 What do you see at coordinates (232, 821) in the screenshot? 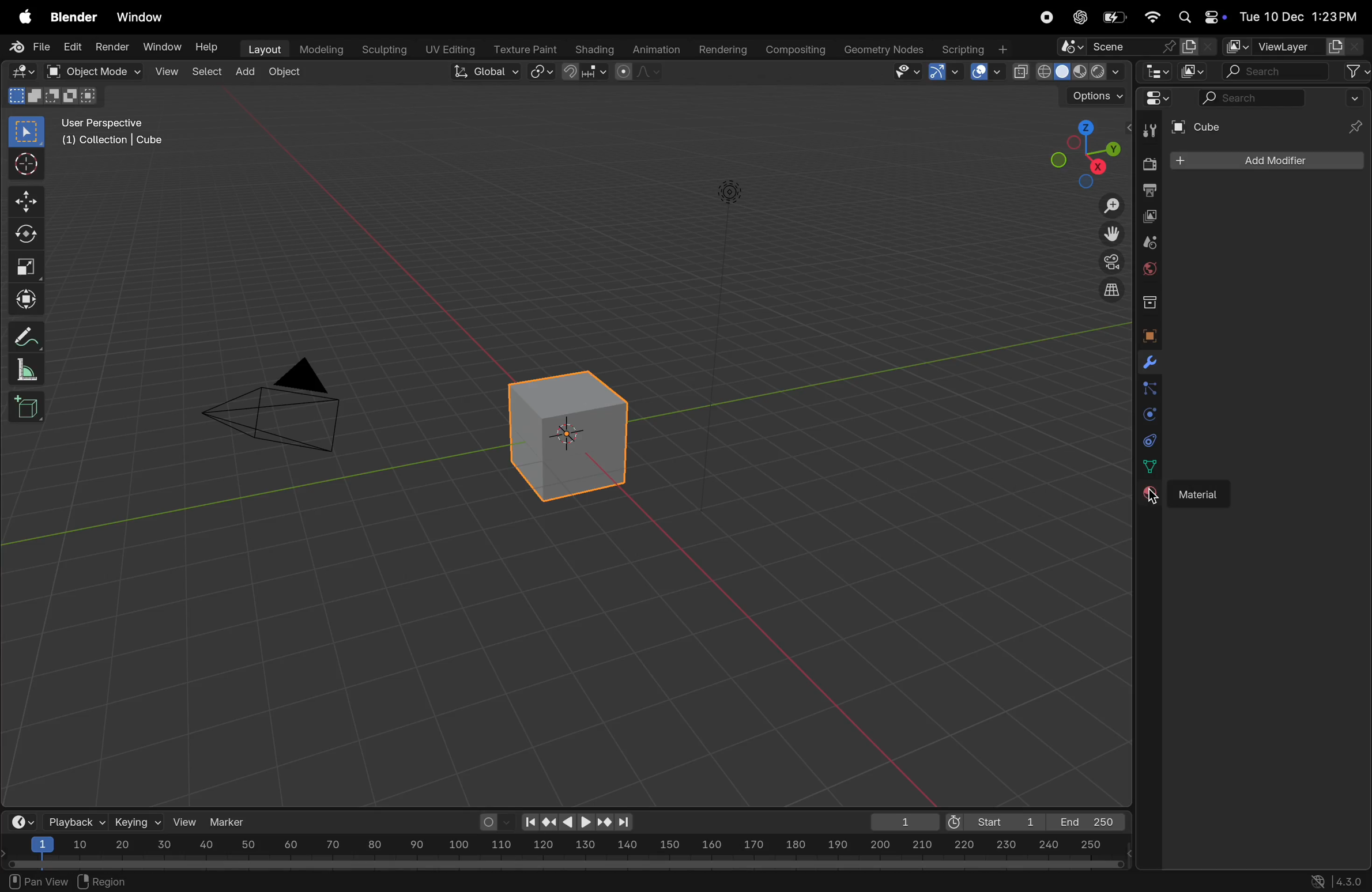
I see `marker` at bounding box center [232, 821].